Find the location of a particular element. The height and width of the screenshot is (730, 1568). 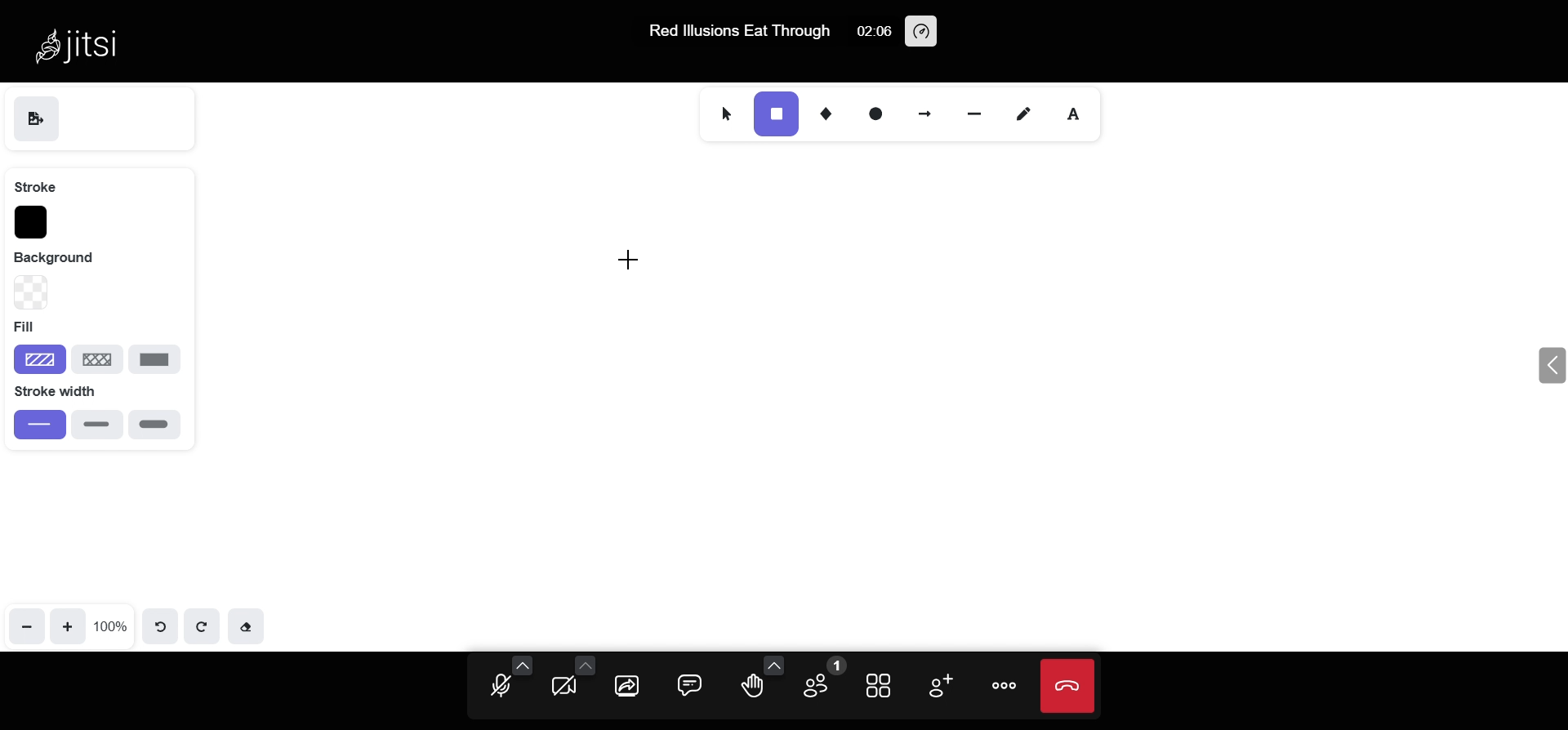

more emoji is located at coordinates (775, 664).